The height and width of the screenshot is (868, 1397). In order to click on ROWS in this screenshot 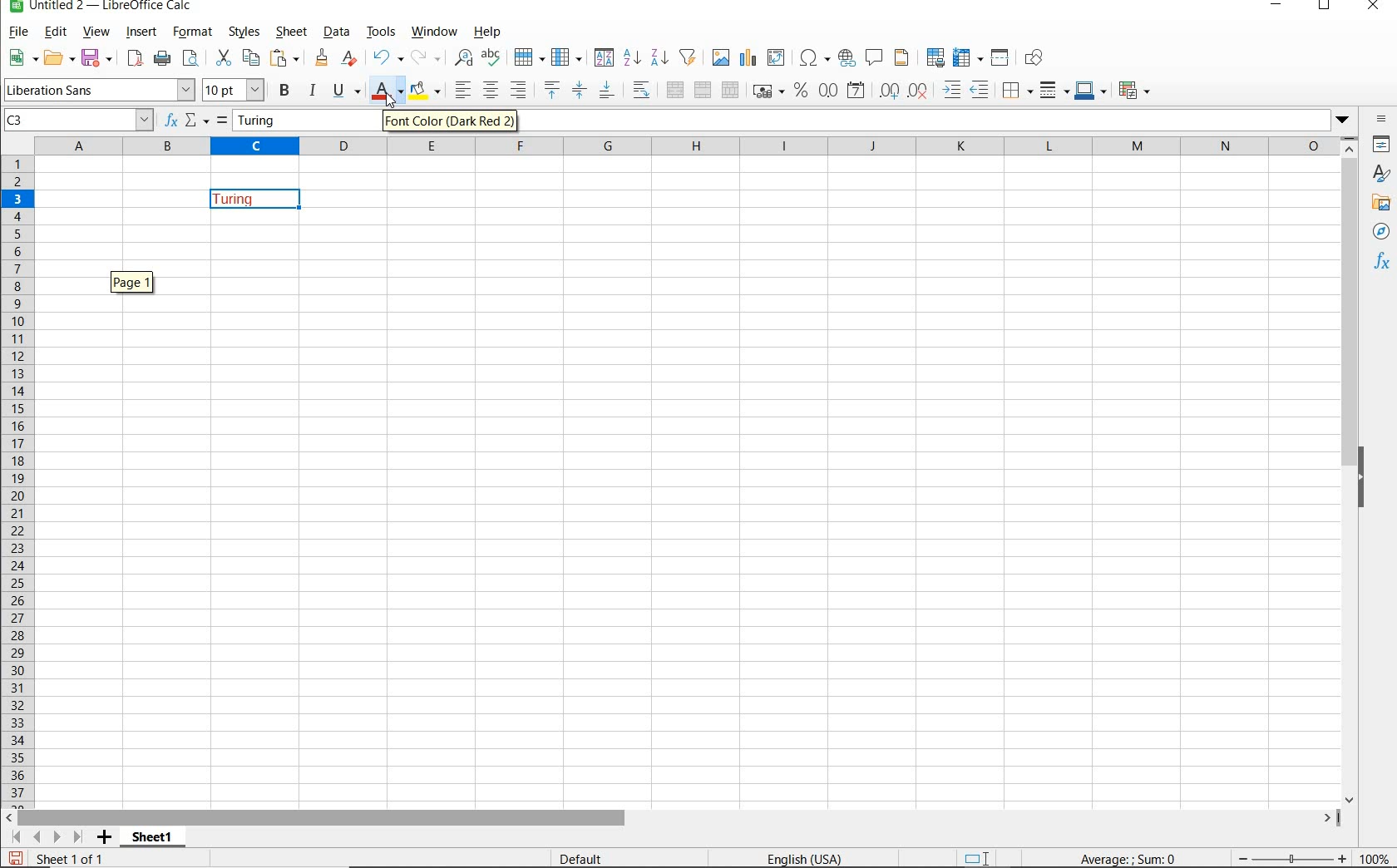, I will do `click(18, 479)`.